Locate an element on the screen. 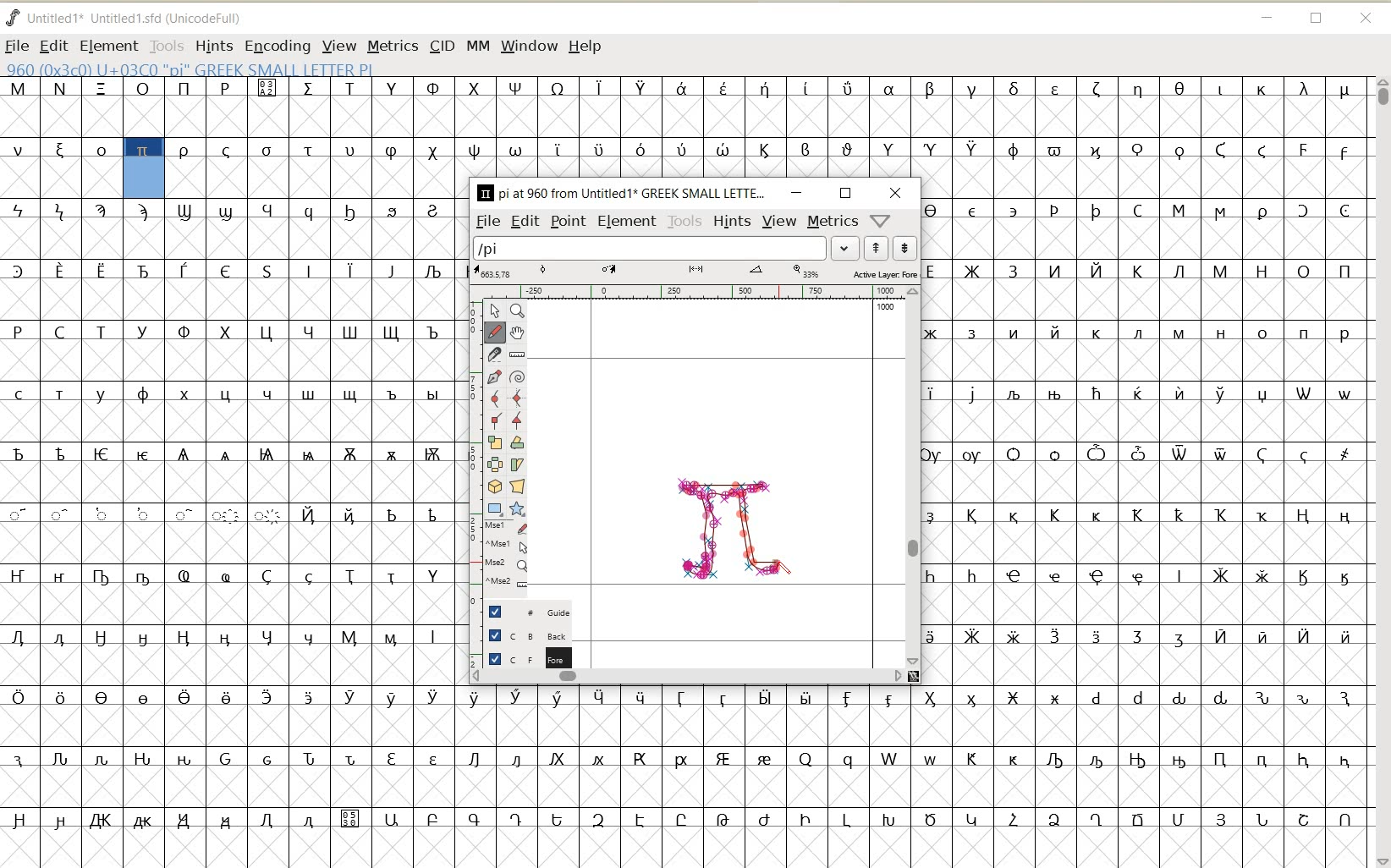 The image size is (1391, 868). glyph characters is located at coordinates (914, 778).